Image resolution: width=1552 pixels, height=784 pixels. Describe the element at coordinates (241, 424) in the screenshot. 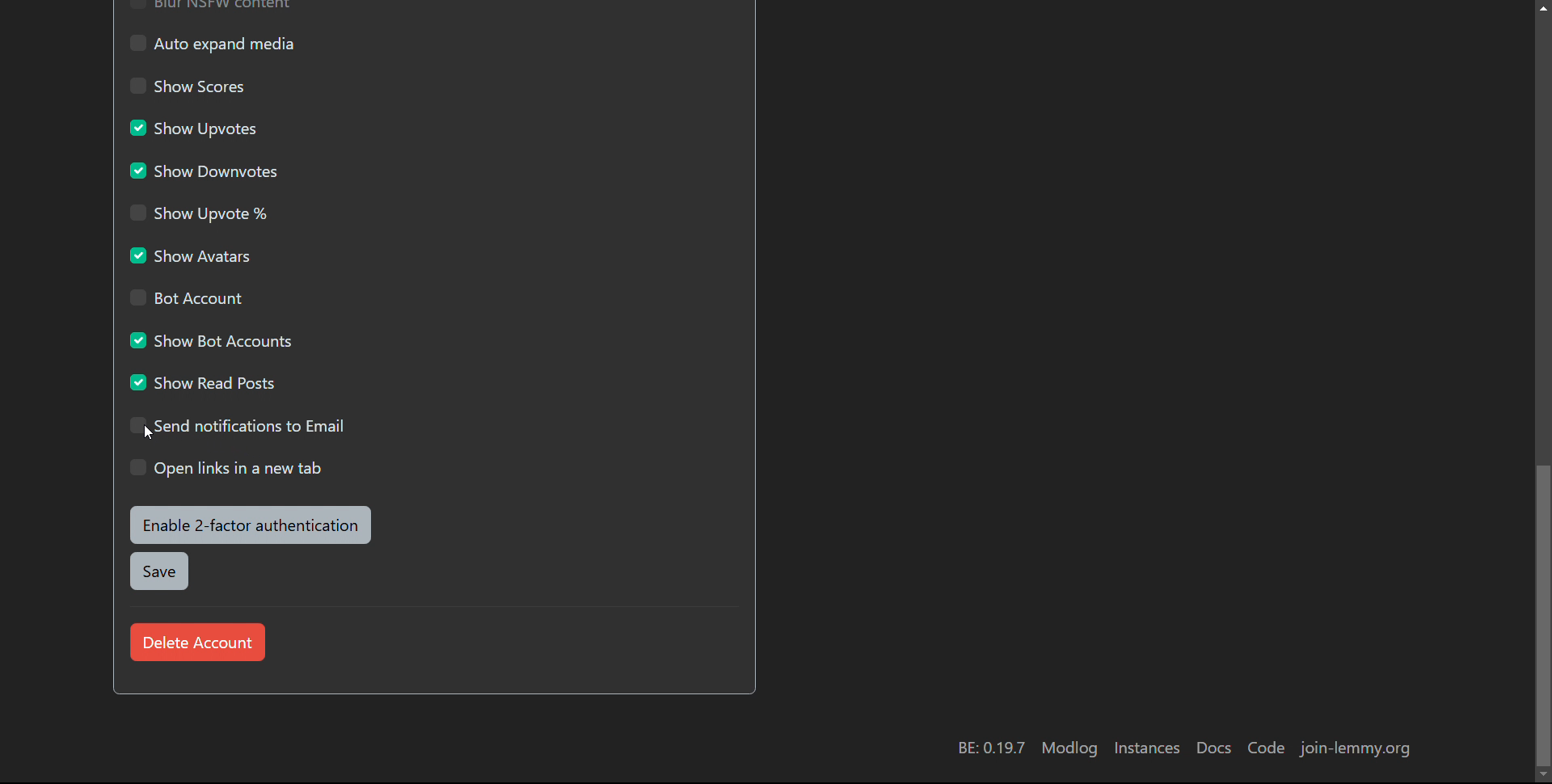

I see `send notifications to email` at that location.